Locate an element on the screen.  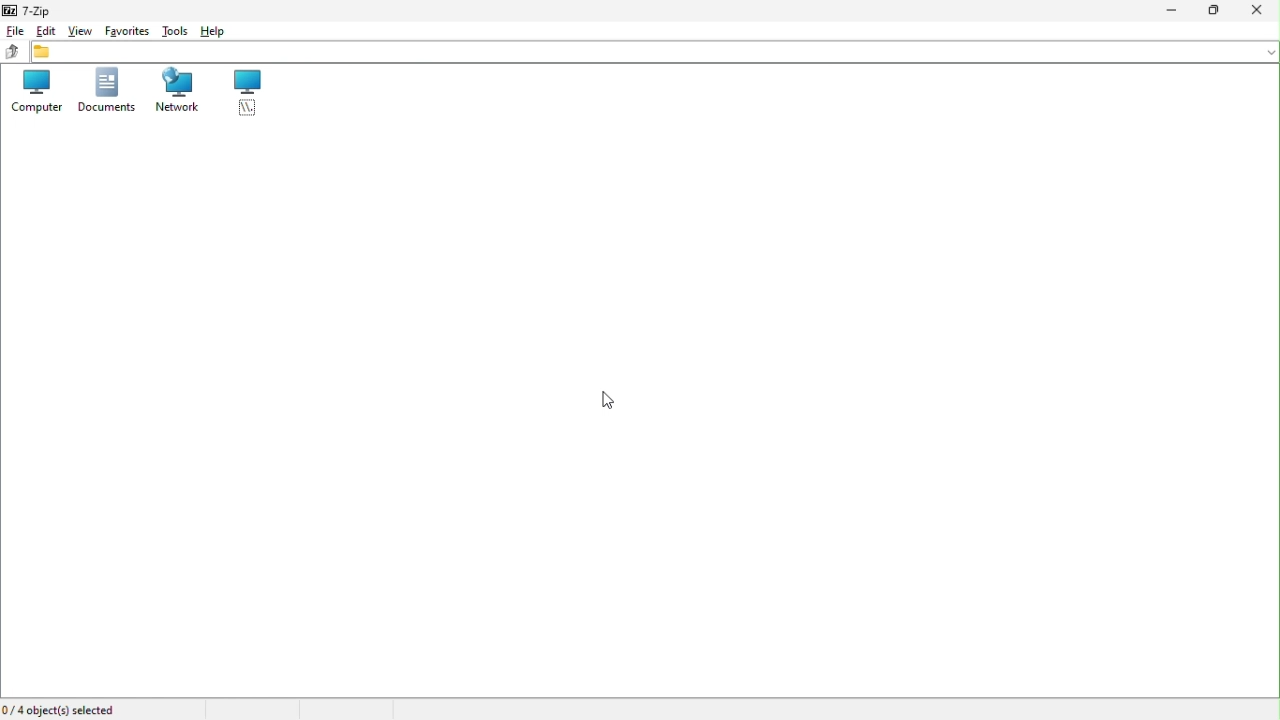
Tools is located at coordinates (174, 31).